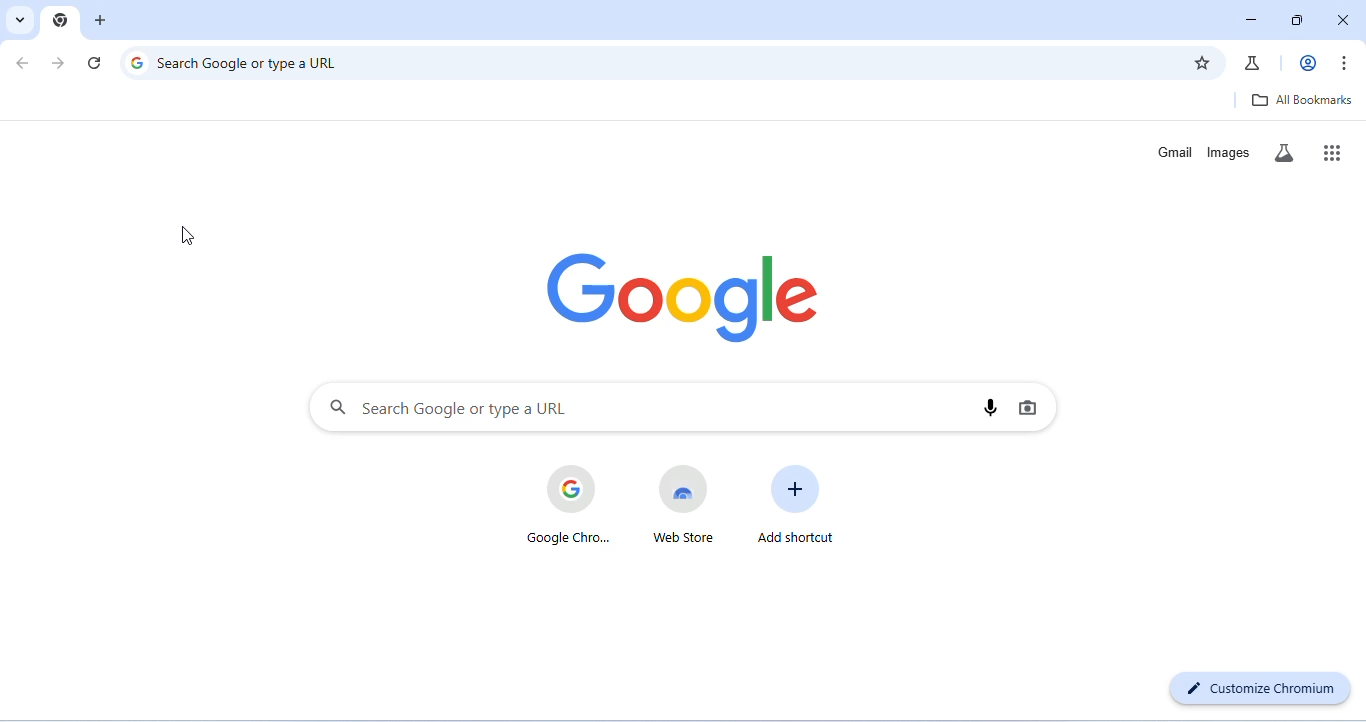  What do you see at coordinates (793, 504) in the screenshot?
I see `add shortcut` at bounding box center [793, 504].